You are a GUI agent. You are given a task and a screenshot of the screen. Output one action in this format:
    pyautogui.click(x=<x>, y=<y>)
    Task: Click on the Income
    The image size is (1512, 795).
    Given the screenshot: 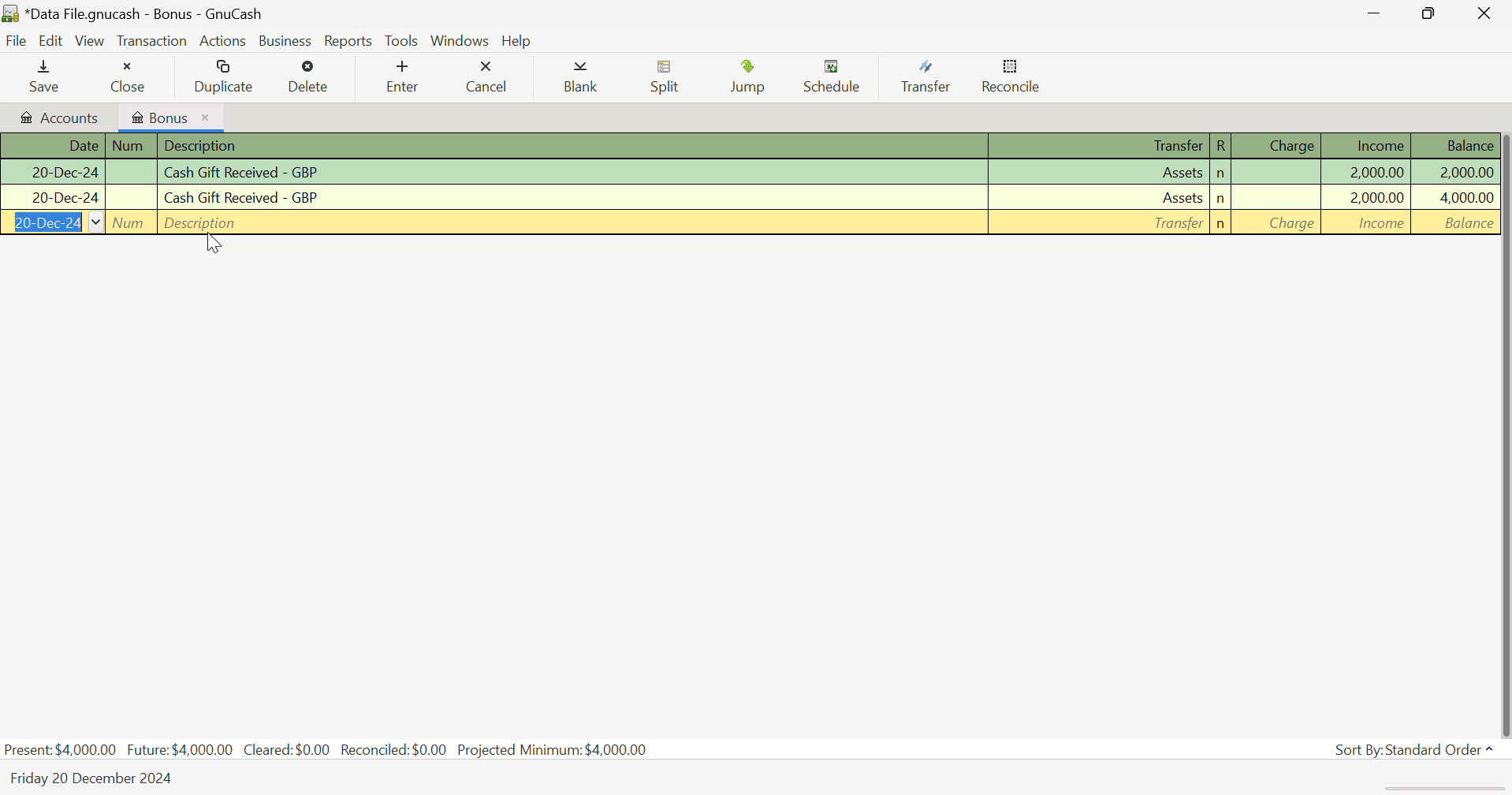 What is the action you would take?
    pyautogui.click(x=1369, y=222)
    